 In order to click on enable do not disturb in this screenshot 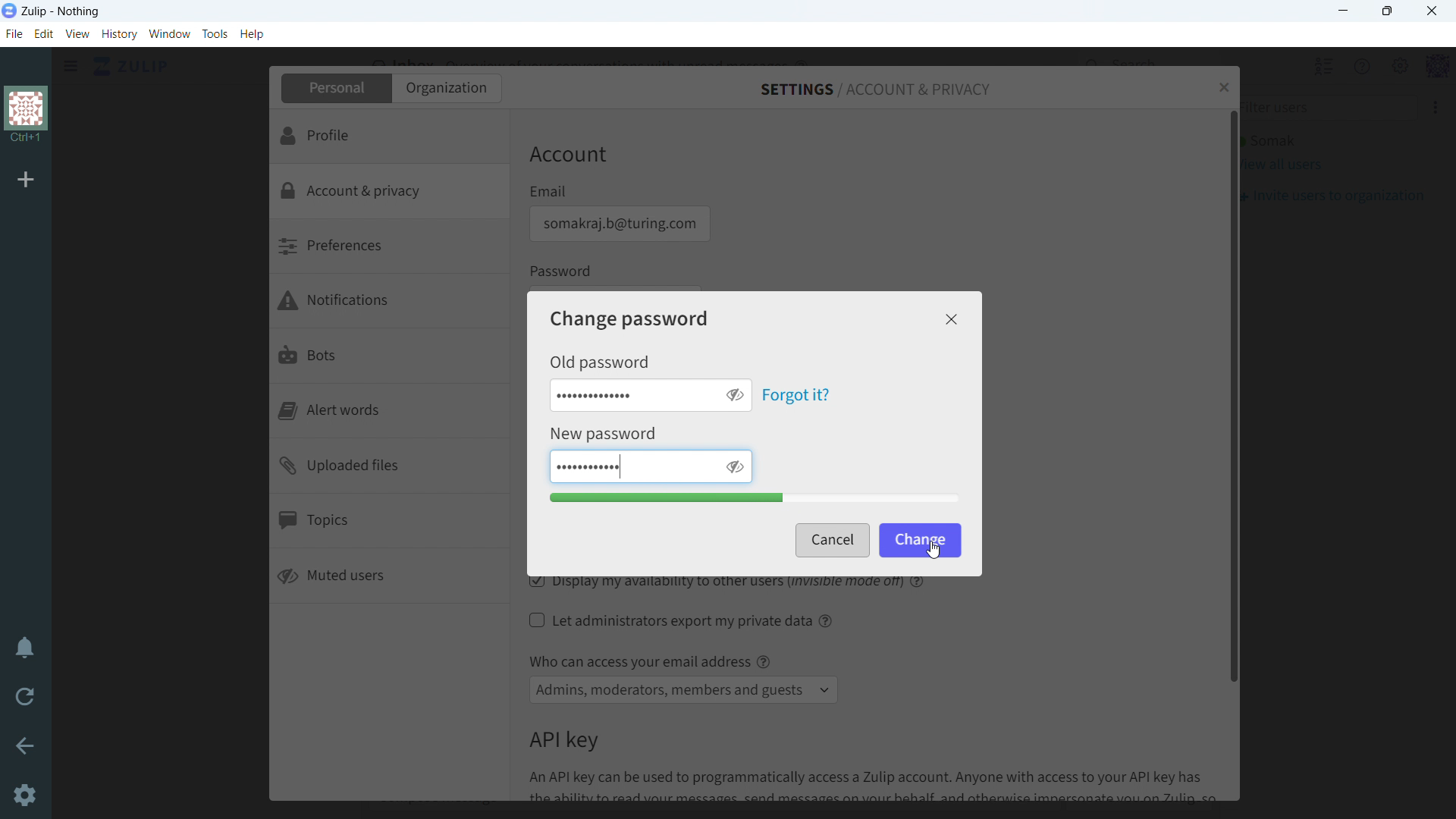, I will do `click(25, 647)`.